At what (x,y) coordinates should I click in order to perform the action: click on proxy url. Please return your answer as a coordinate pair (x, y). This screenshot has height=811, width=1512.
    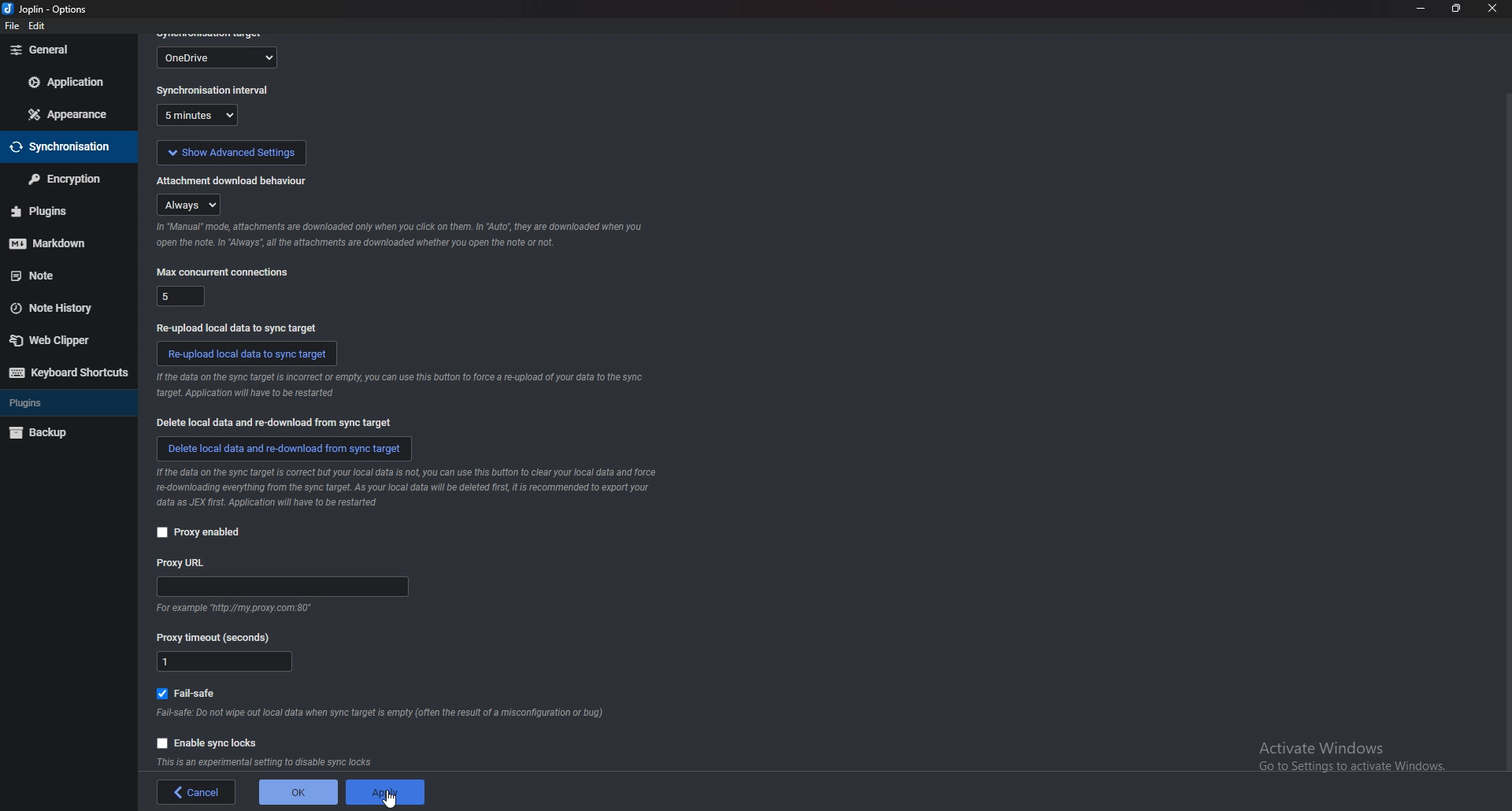
    Looking at the image, I should click on (183, 562).